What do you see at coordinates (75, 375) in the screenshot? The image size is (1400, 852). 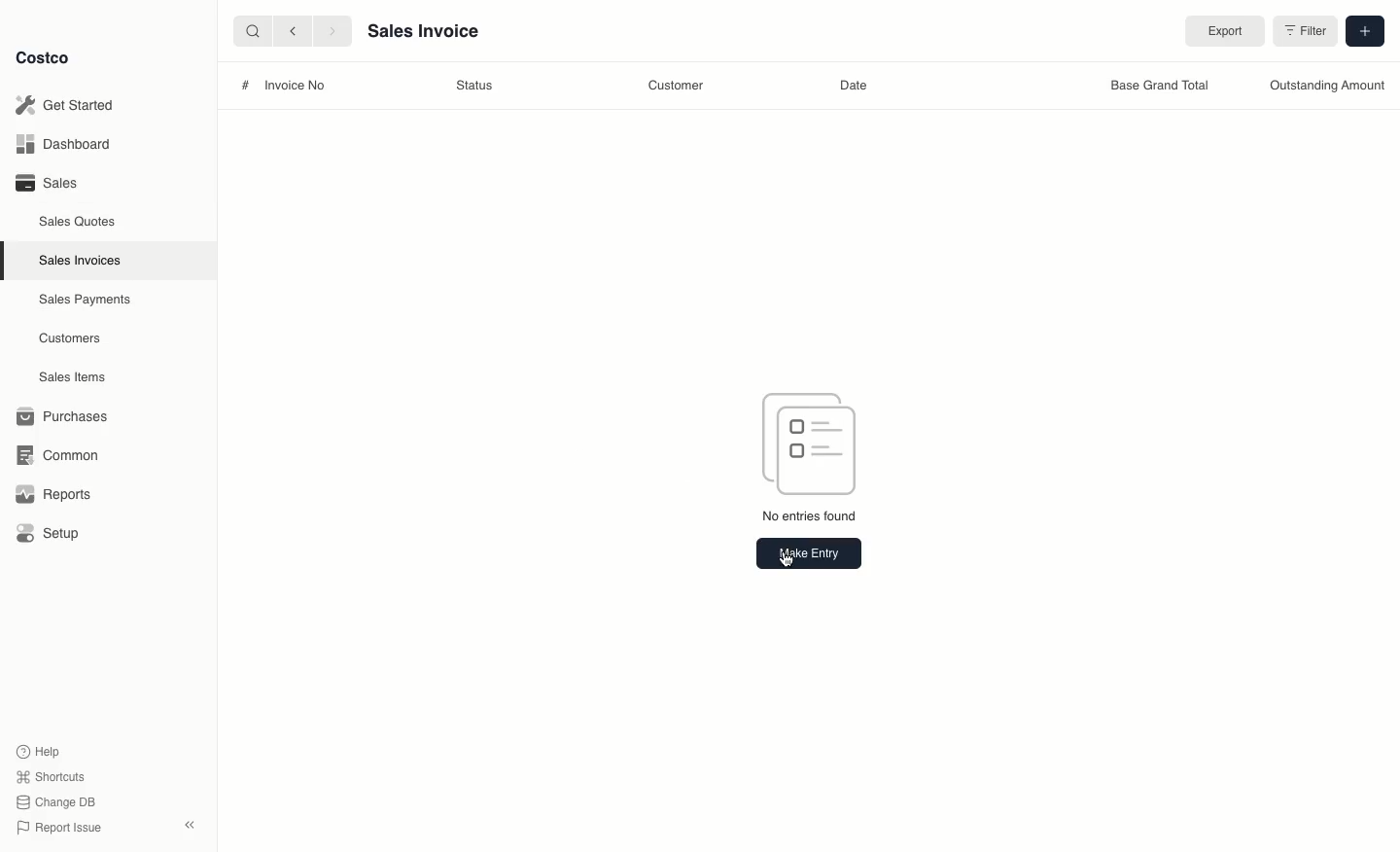 I see `Sales Items` at bounding box center [75, 375].